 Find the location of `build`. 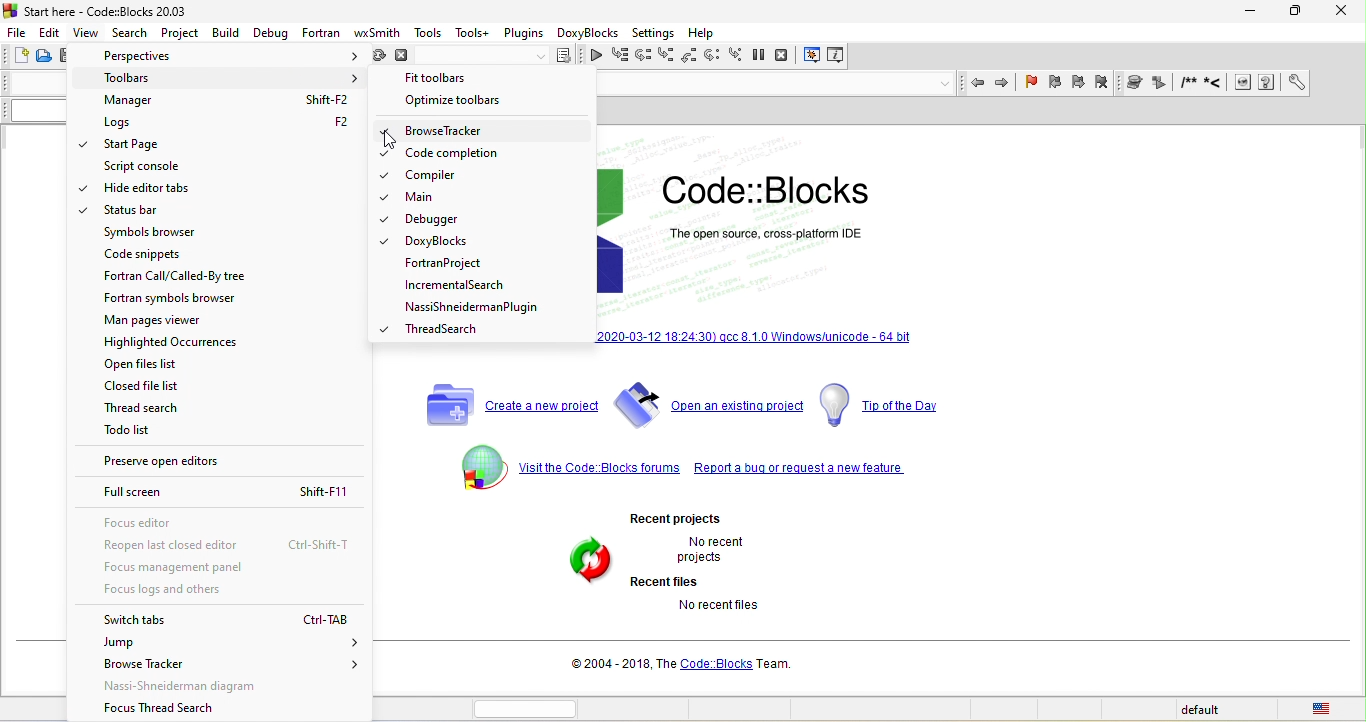

build is located at coordinates (226, 31).